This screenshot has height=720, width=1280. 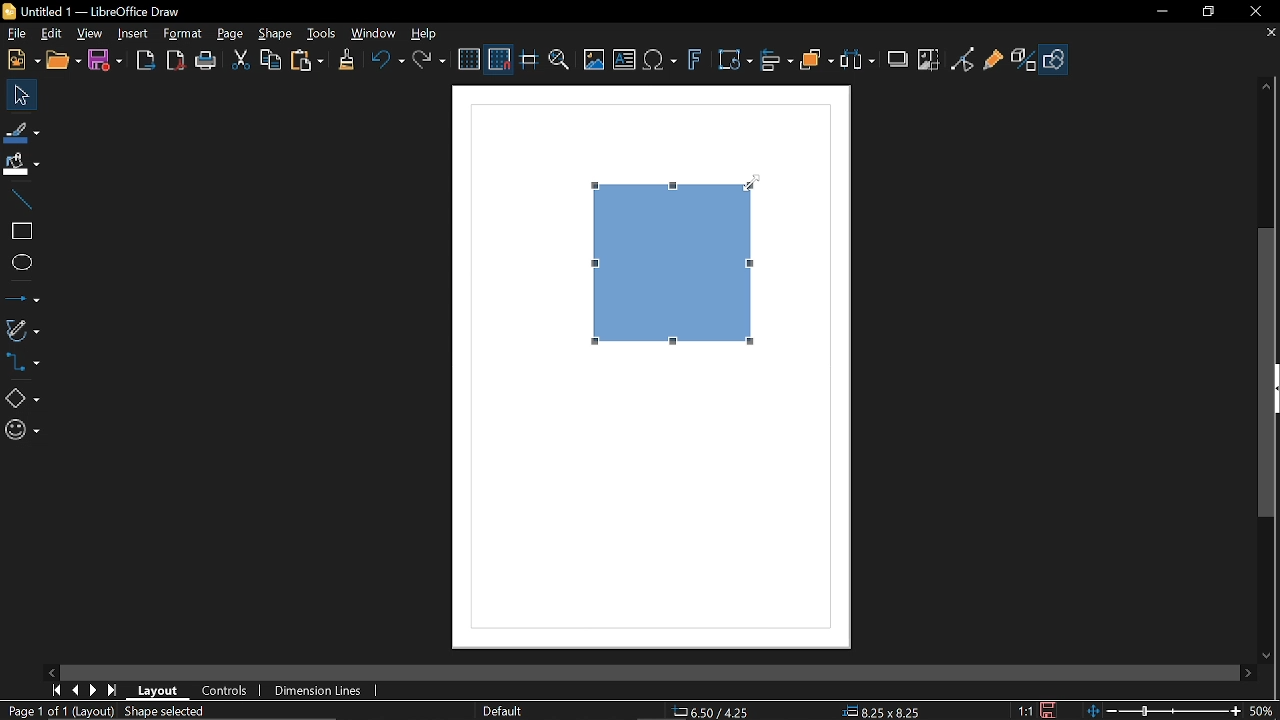 I want to click on Move left, so click(x=49, y=669).